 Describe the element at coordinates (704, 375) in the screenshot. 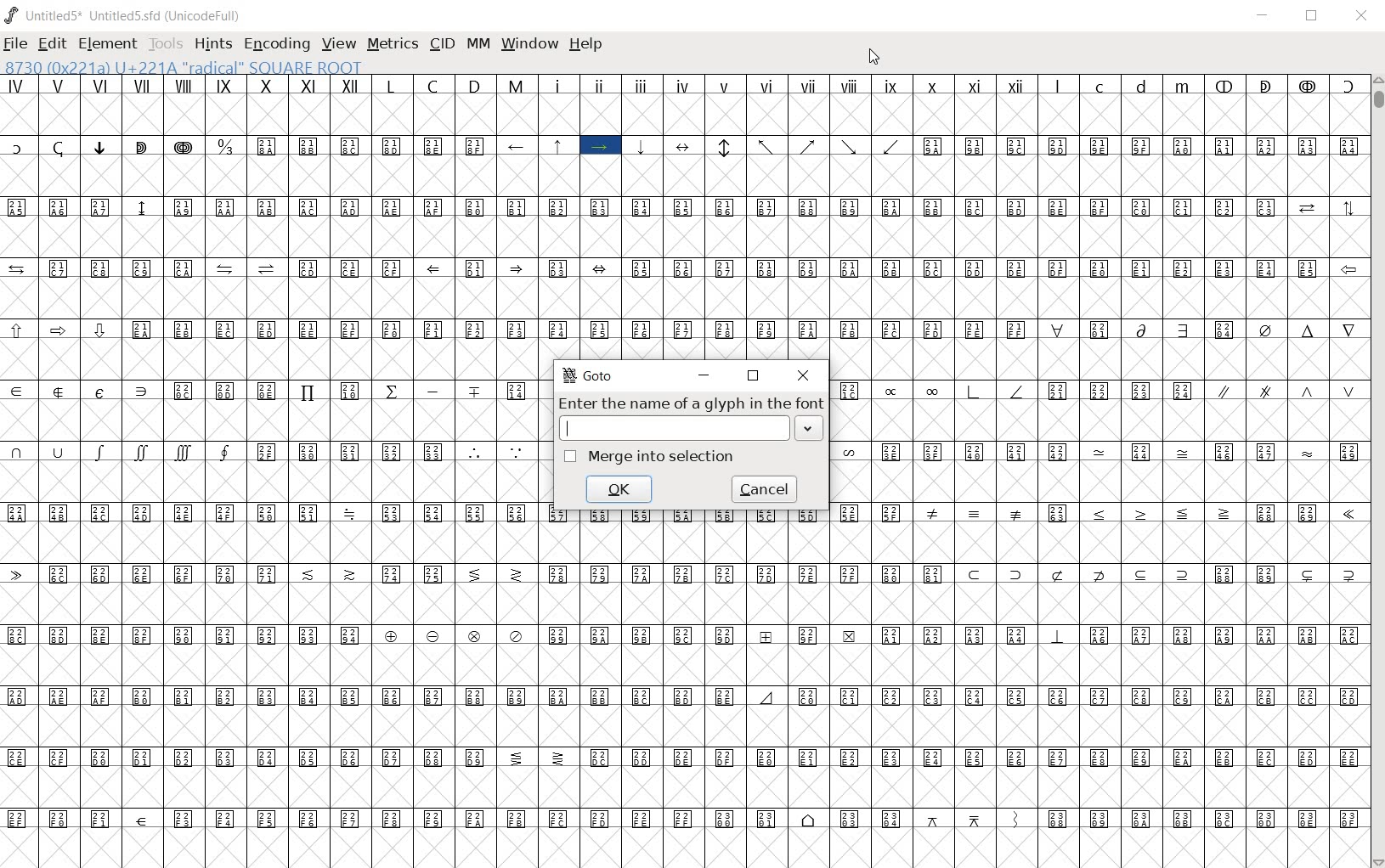

I see `MINIMIZE` at that location.